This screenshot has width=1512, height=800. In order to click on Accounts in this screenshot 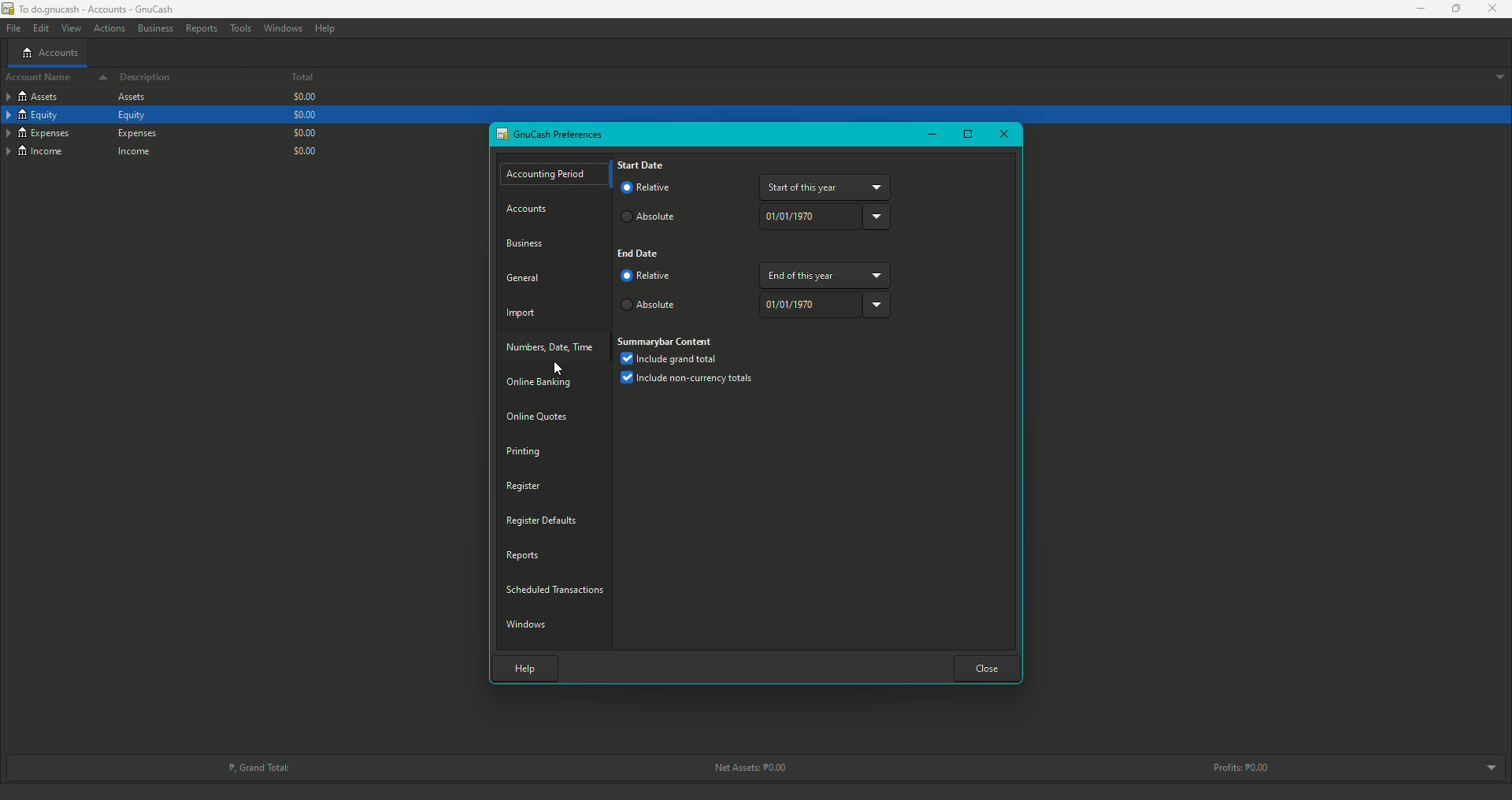, I will do `click(50, 52)`.